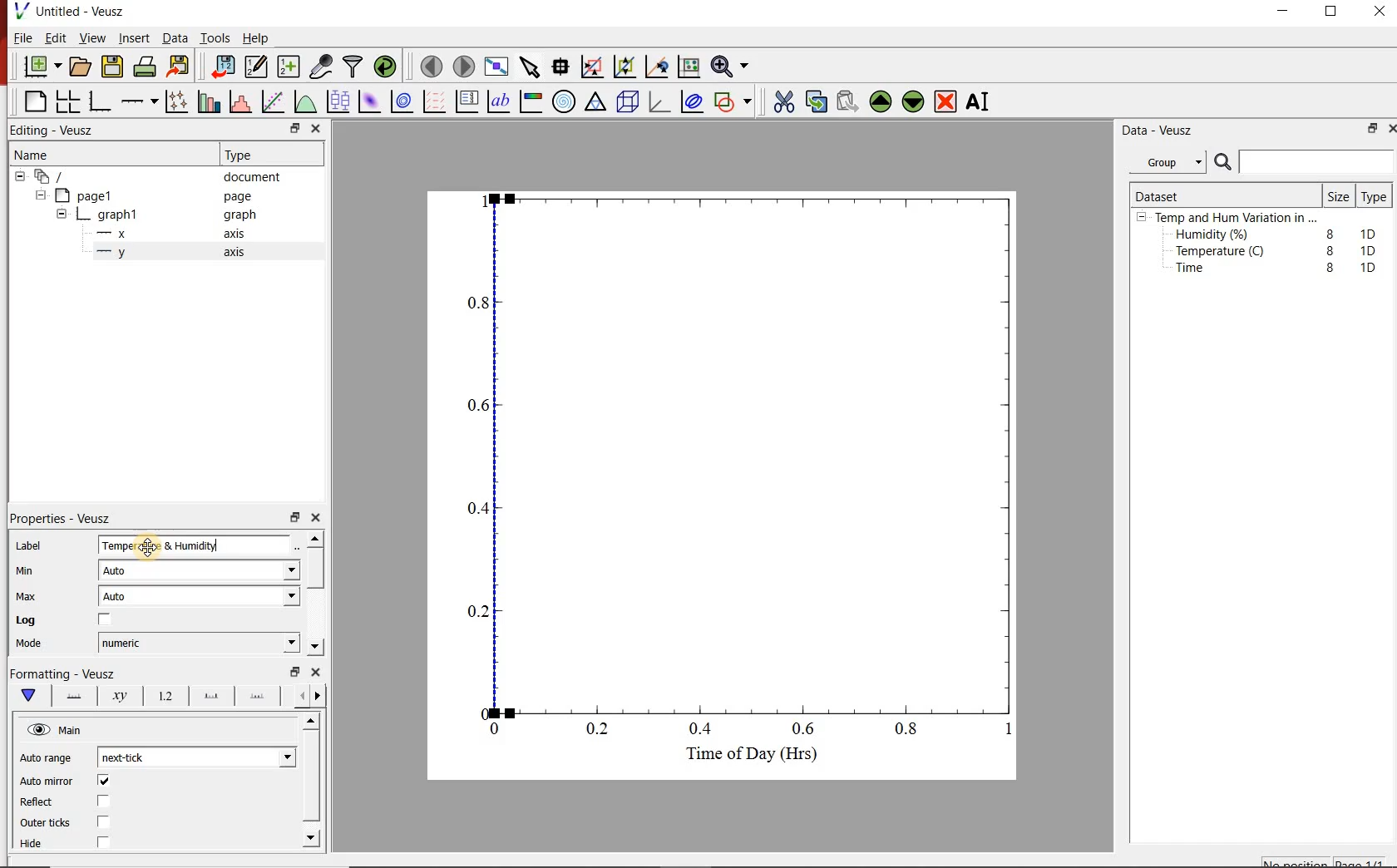  What do you see at coordinates (1289, 12) in the screenshot?
I see `minimize` at bounding box center [1289, 12].